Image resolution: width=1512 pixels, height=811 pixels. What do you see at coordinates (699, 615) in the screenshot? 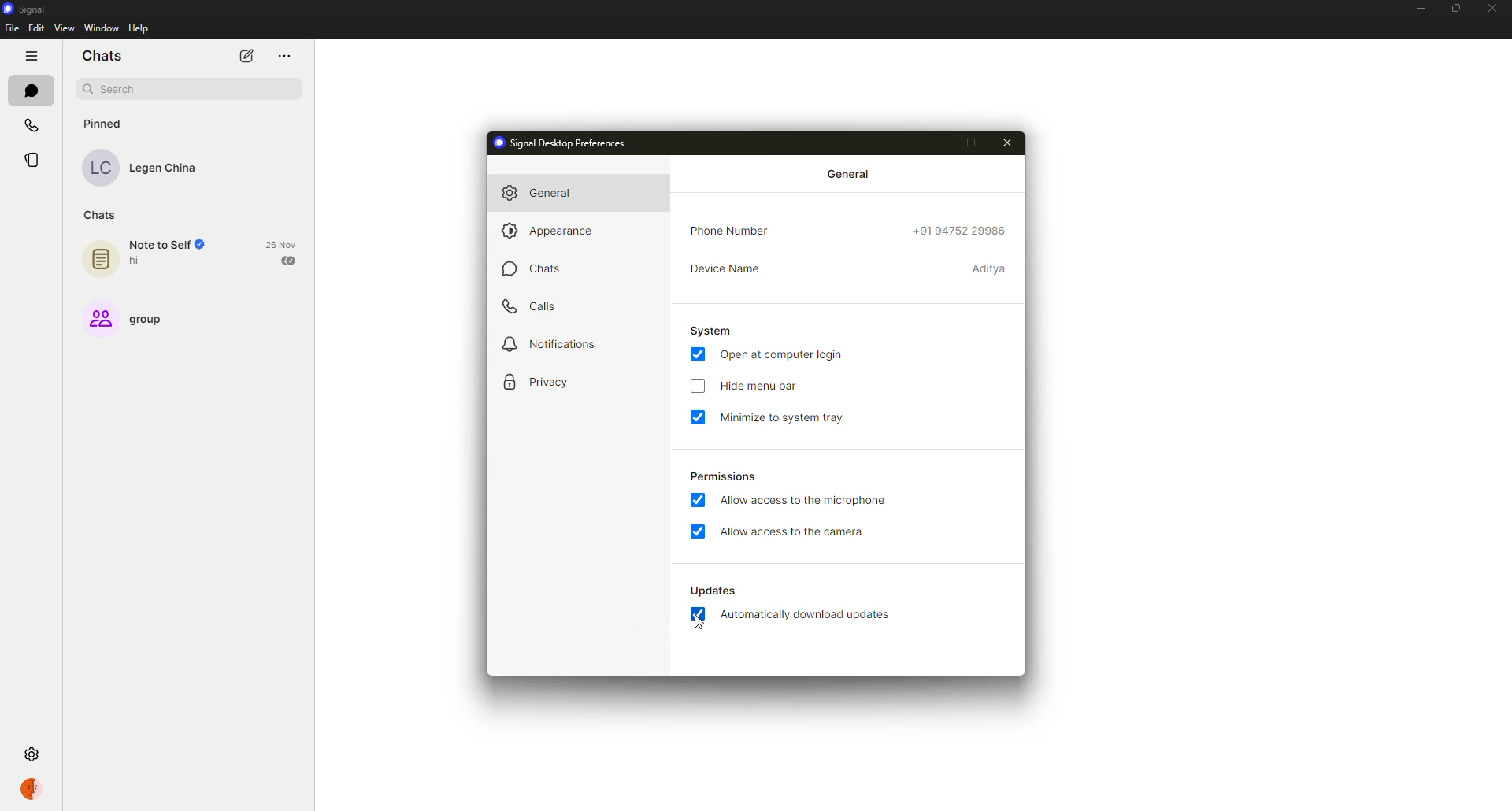
I see `enabled` at bounding box center [699, 615].